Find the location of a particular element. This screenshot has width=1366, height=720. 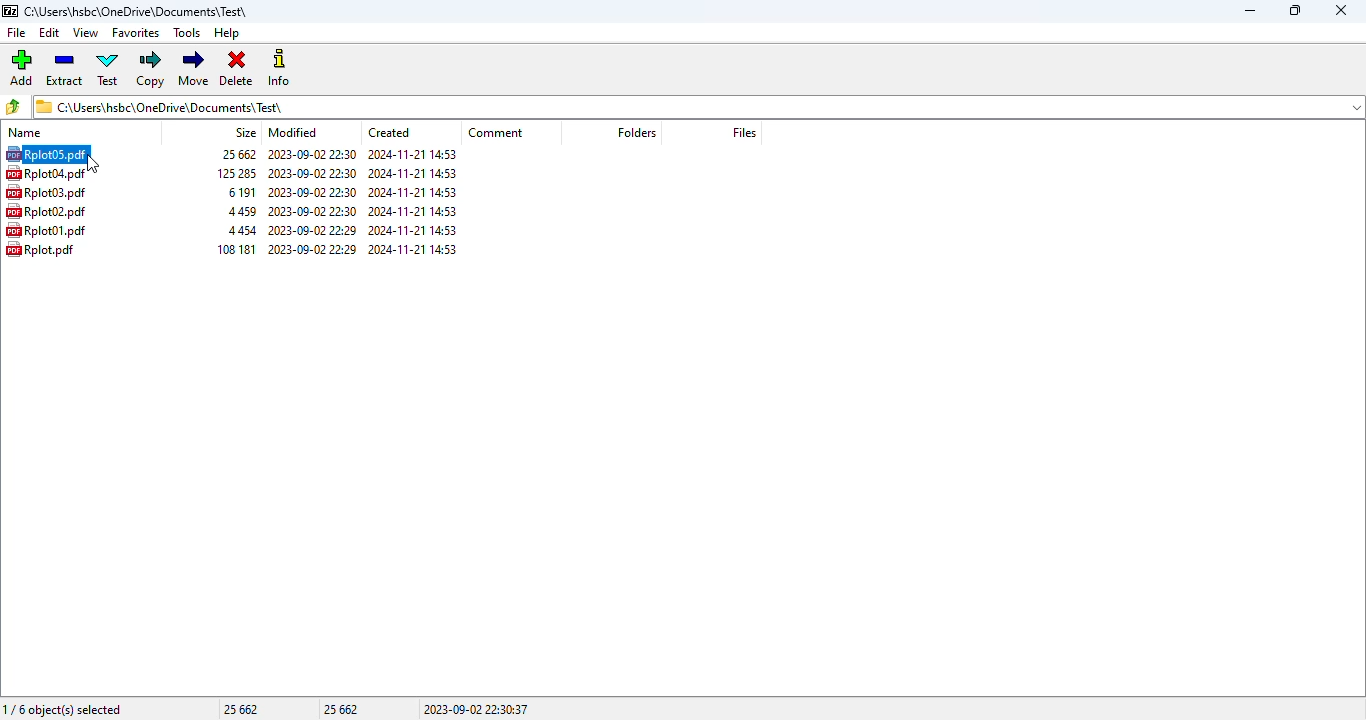

size is located at coordinates (237, 154).